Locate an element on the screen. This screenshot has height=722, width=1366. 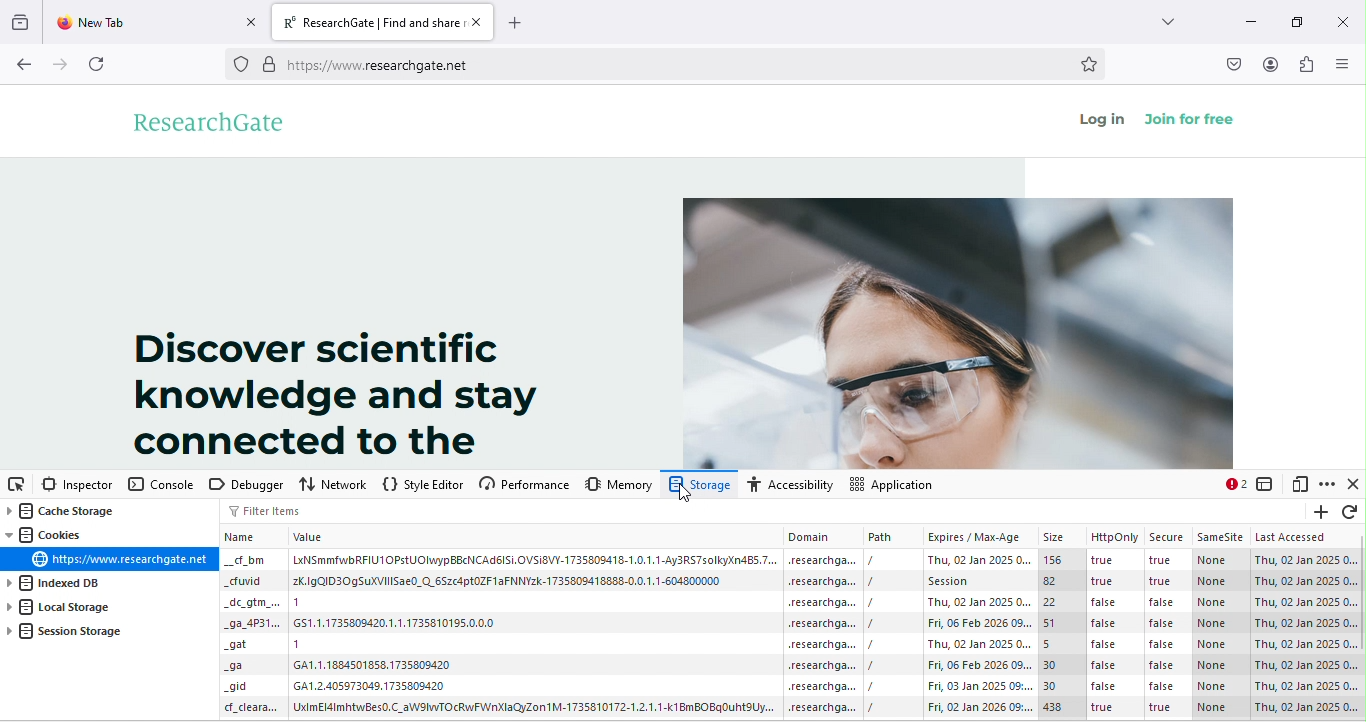
date is located at coordinates (1306, 685).